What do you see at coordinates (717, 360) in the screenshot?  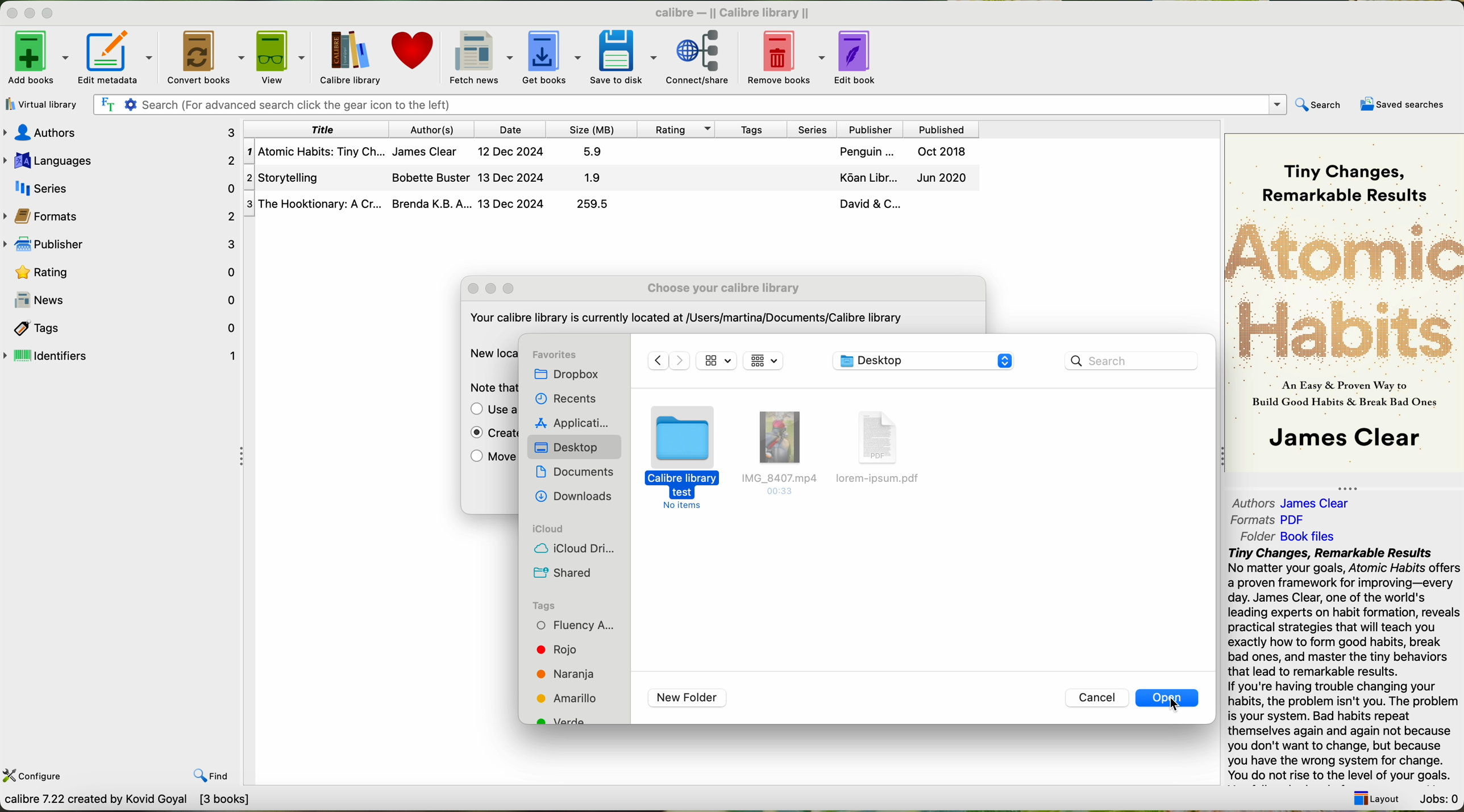 I see `icon` at bounding box center [717, 360].